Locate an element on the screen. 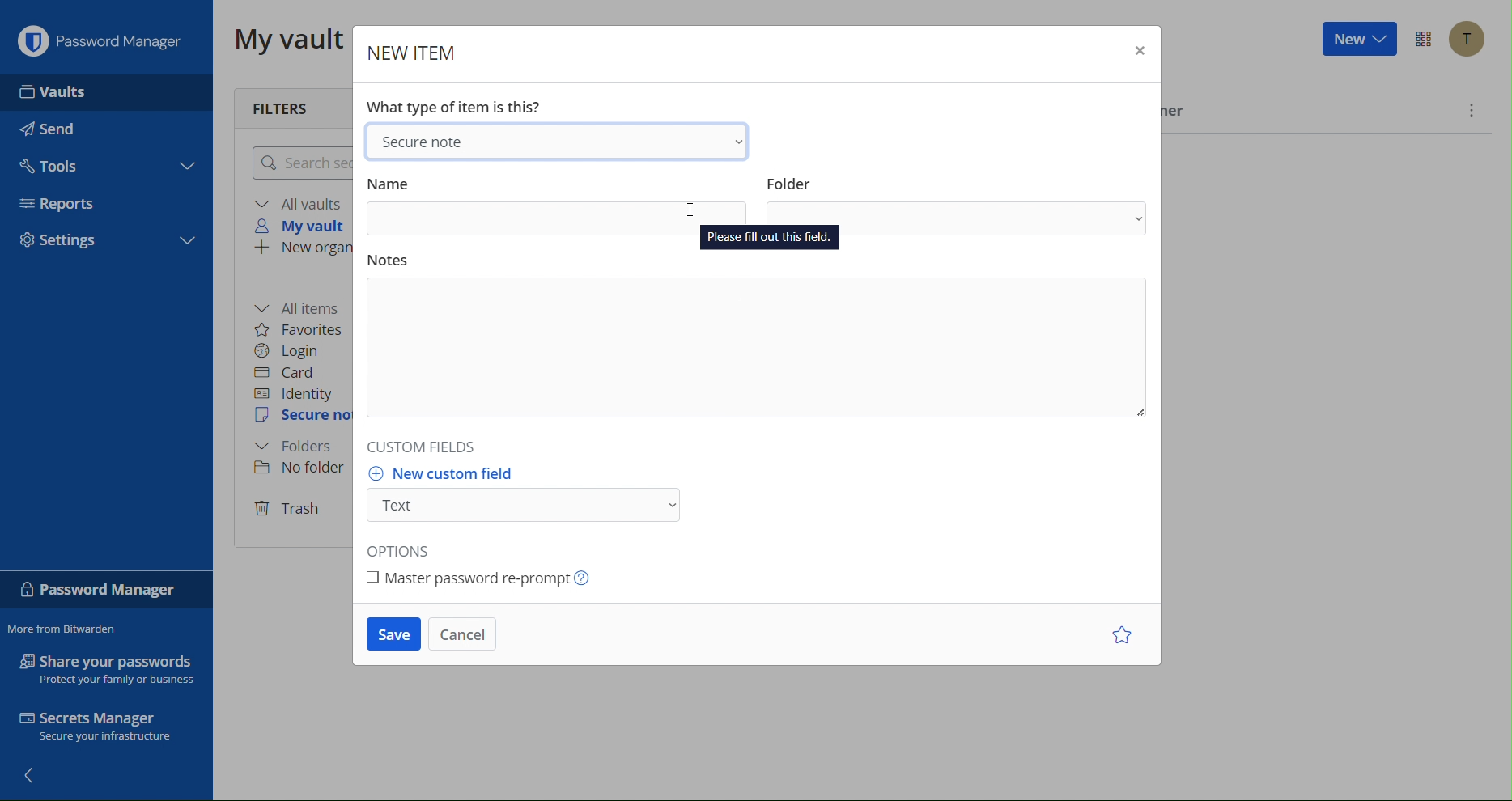 The image size is (1512, 801). Password Manager is located at coordinates (104, 590).